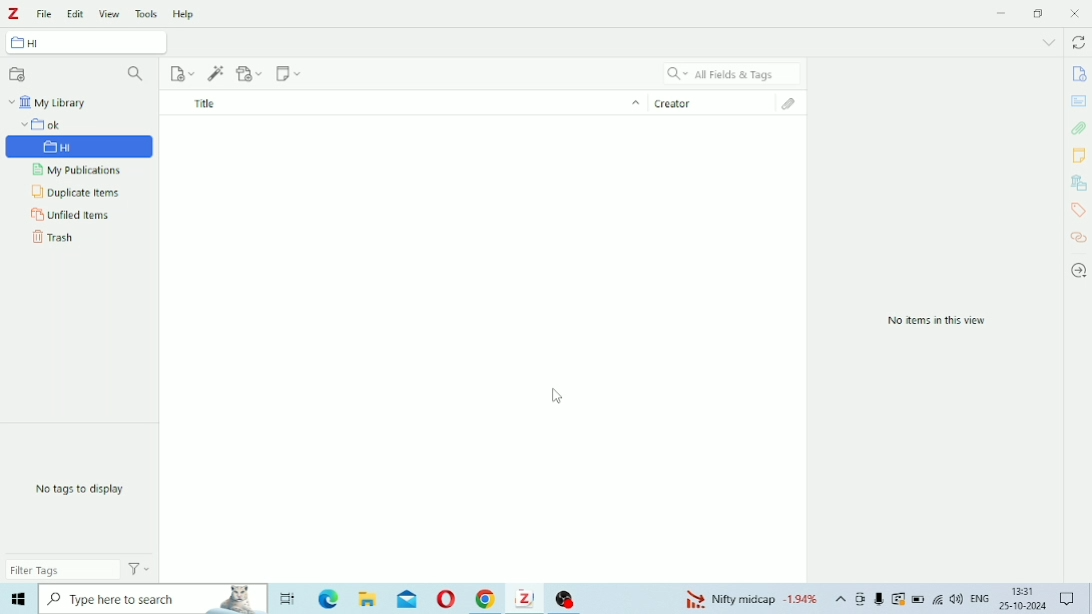 This screenshot has height=614, width=1092. What do you see at coordinates (1079, 128) in the screenshot?
I see `Attachments` at bounding box center [1079, 128].